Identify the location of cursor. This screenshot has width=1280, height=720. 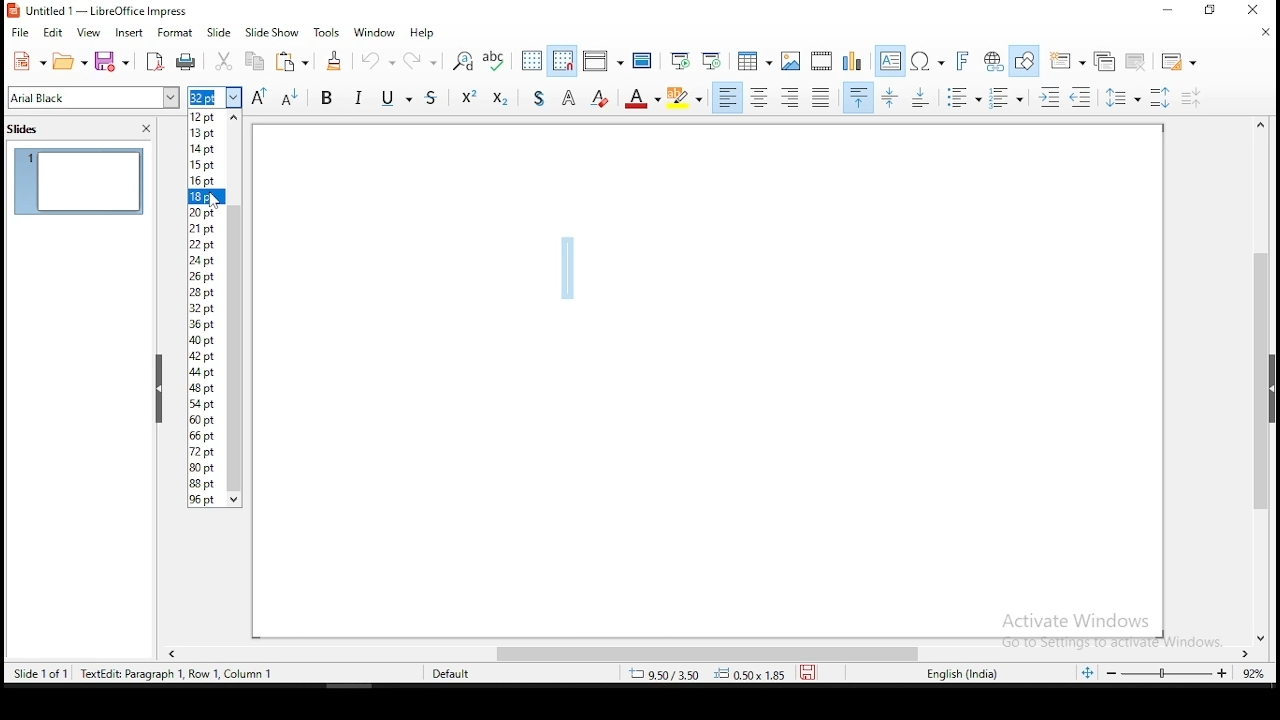
(215, 204).